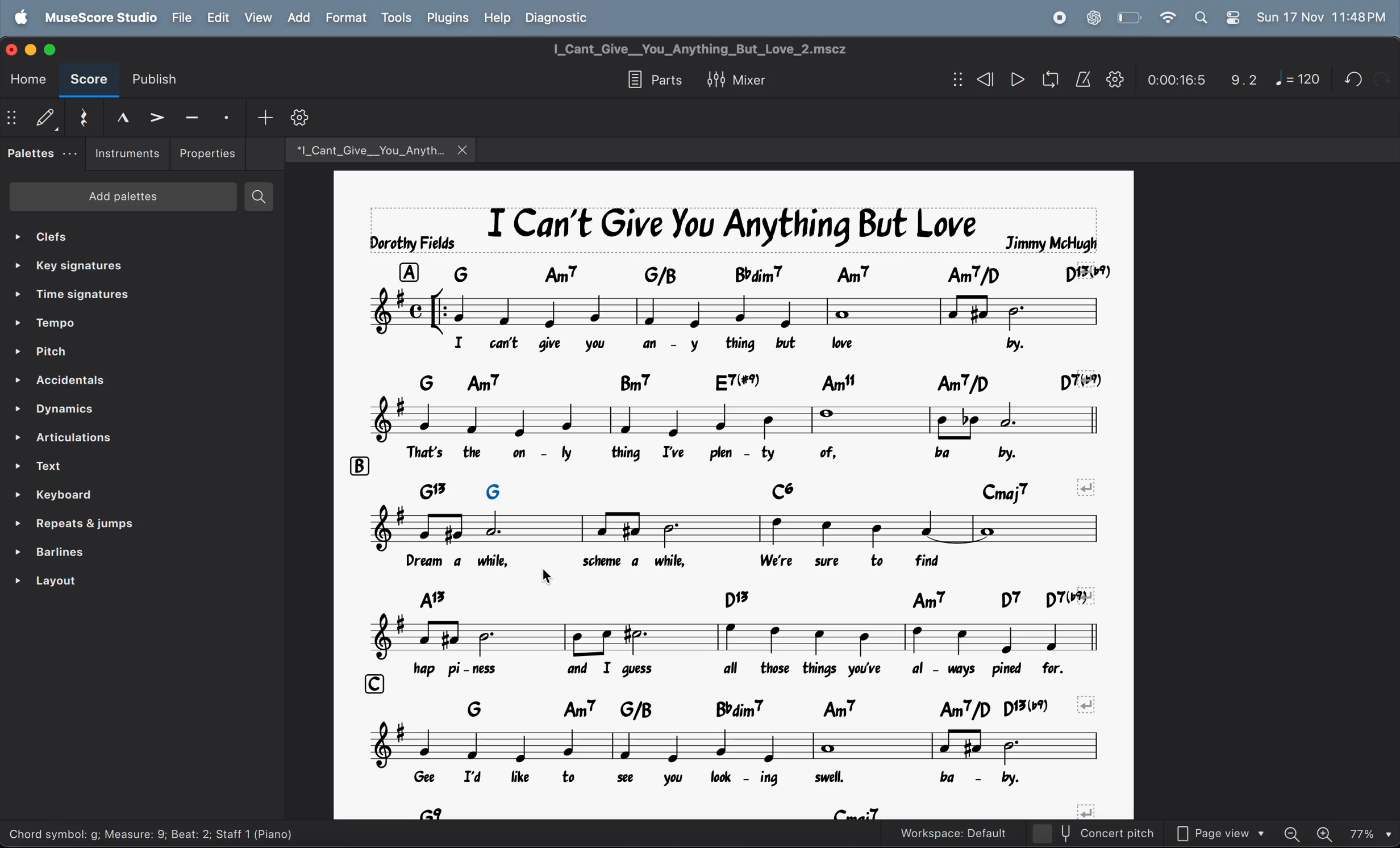 This screenshot has width=1400, height=848. Describe the element at coordinates (356, 465) in the screenshot. I see `b row` at that location.